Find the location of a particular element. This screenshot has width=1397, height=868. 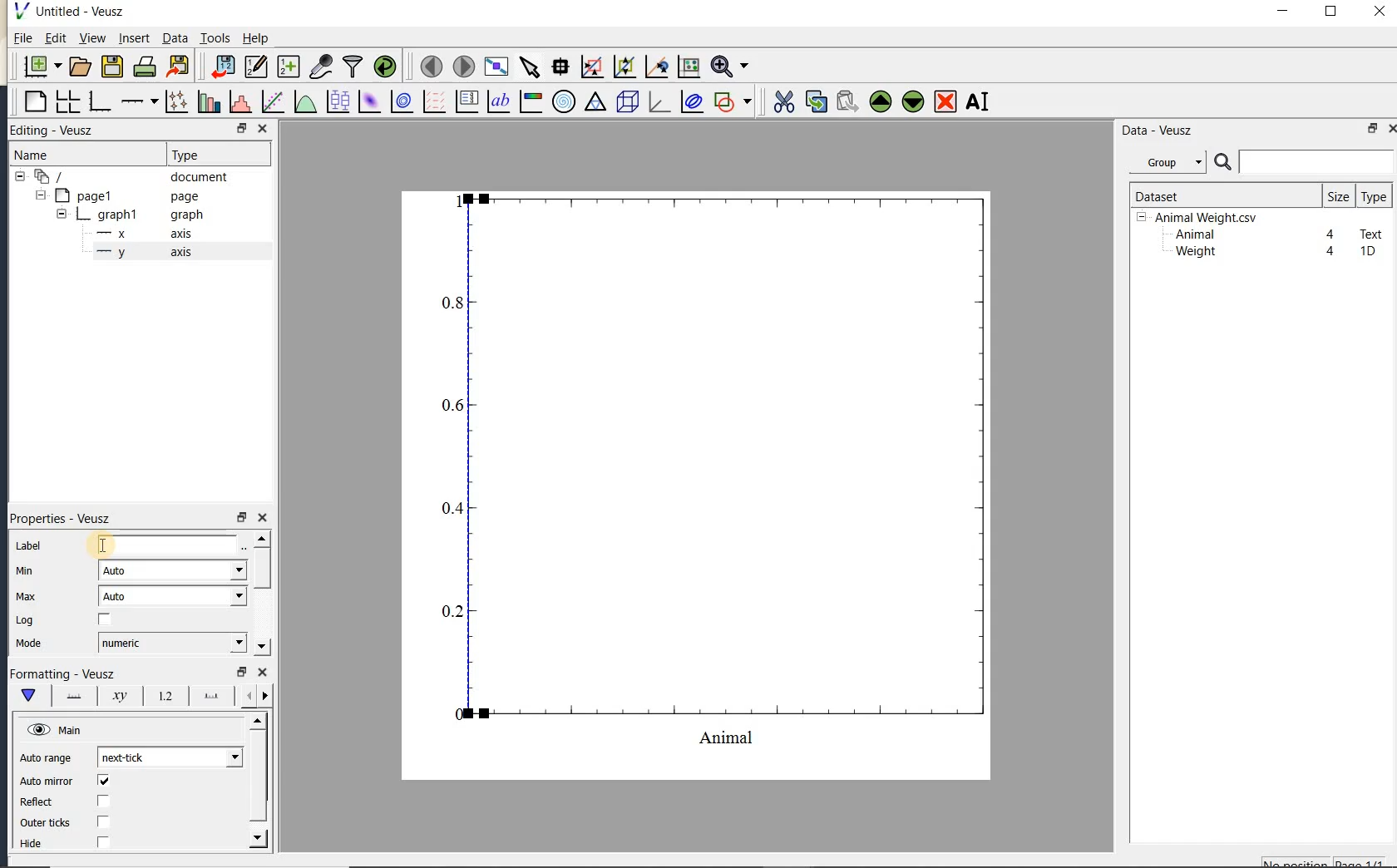

Edit is located at coordinates (52, 40).